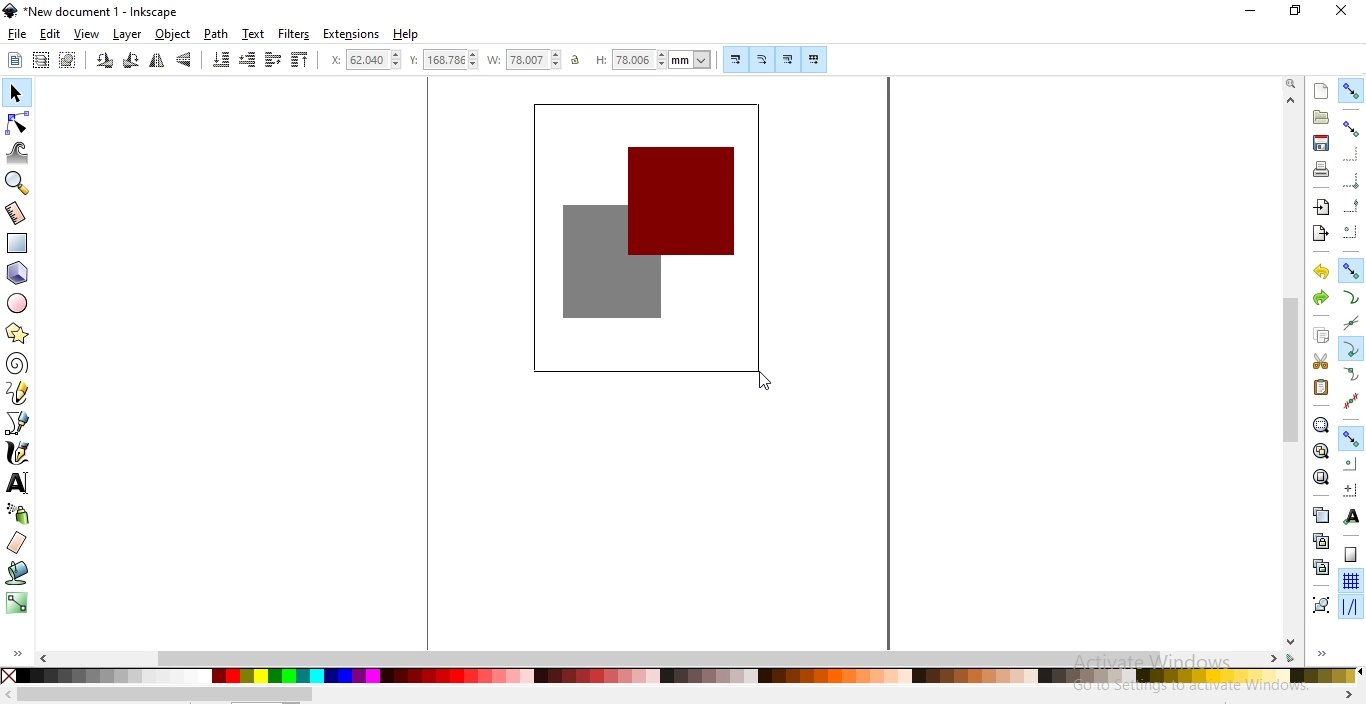 The image size is (1366, 704). I want to click on paste, so click(1320, 387).